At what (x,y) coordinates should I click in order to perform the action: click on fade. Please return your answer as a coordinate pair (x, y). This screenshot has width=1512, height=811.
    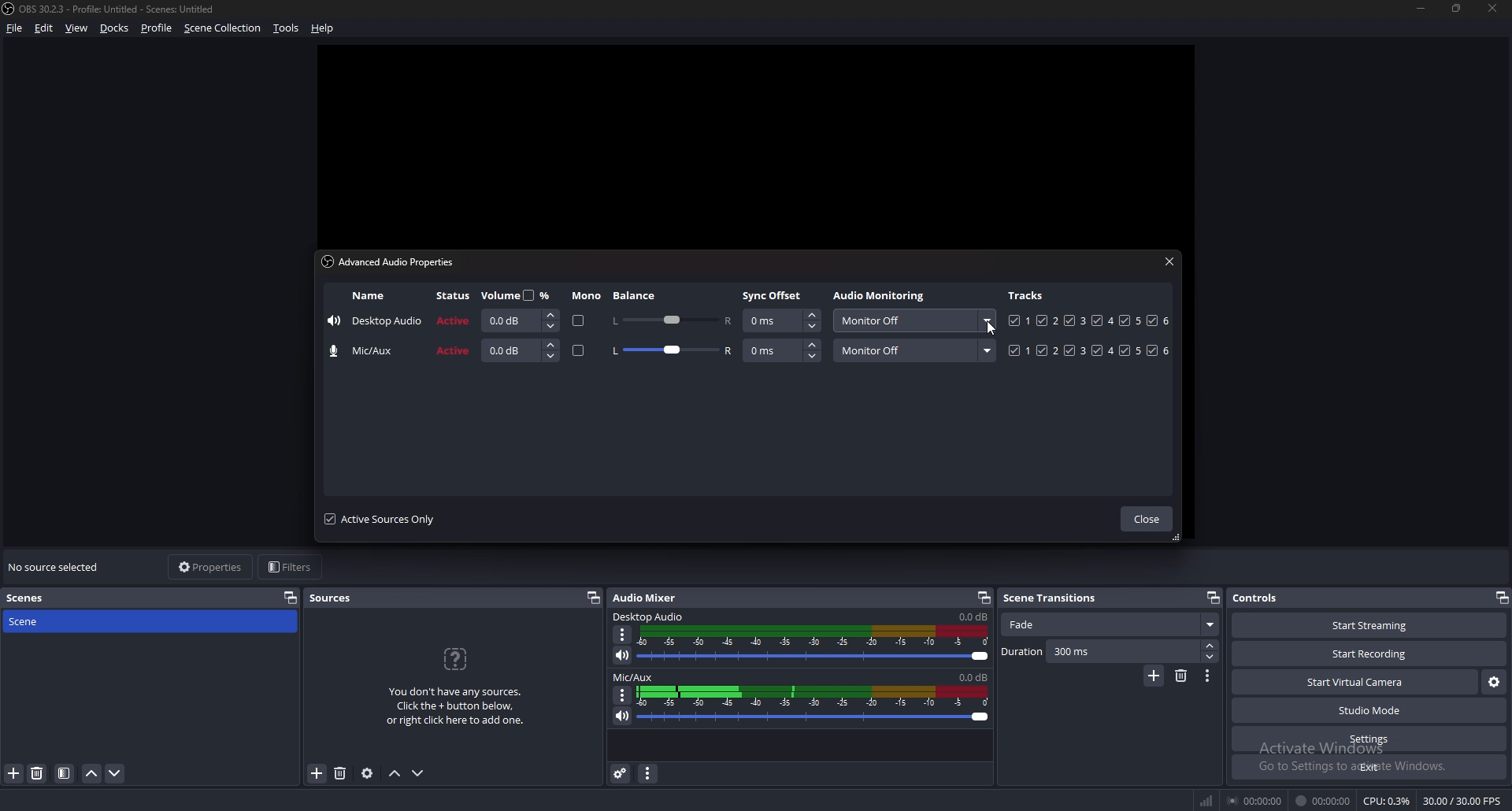
    Looking at the image, I should click on (1109, 625).